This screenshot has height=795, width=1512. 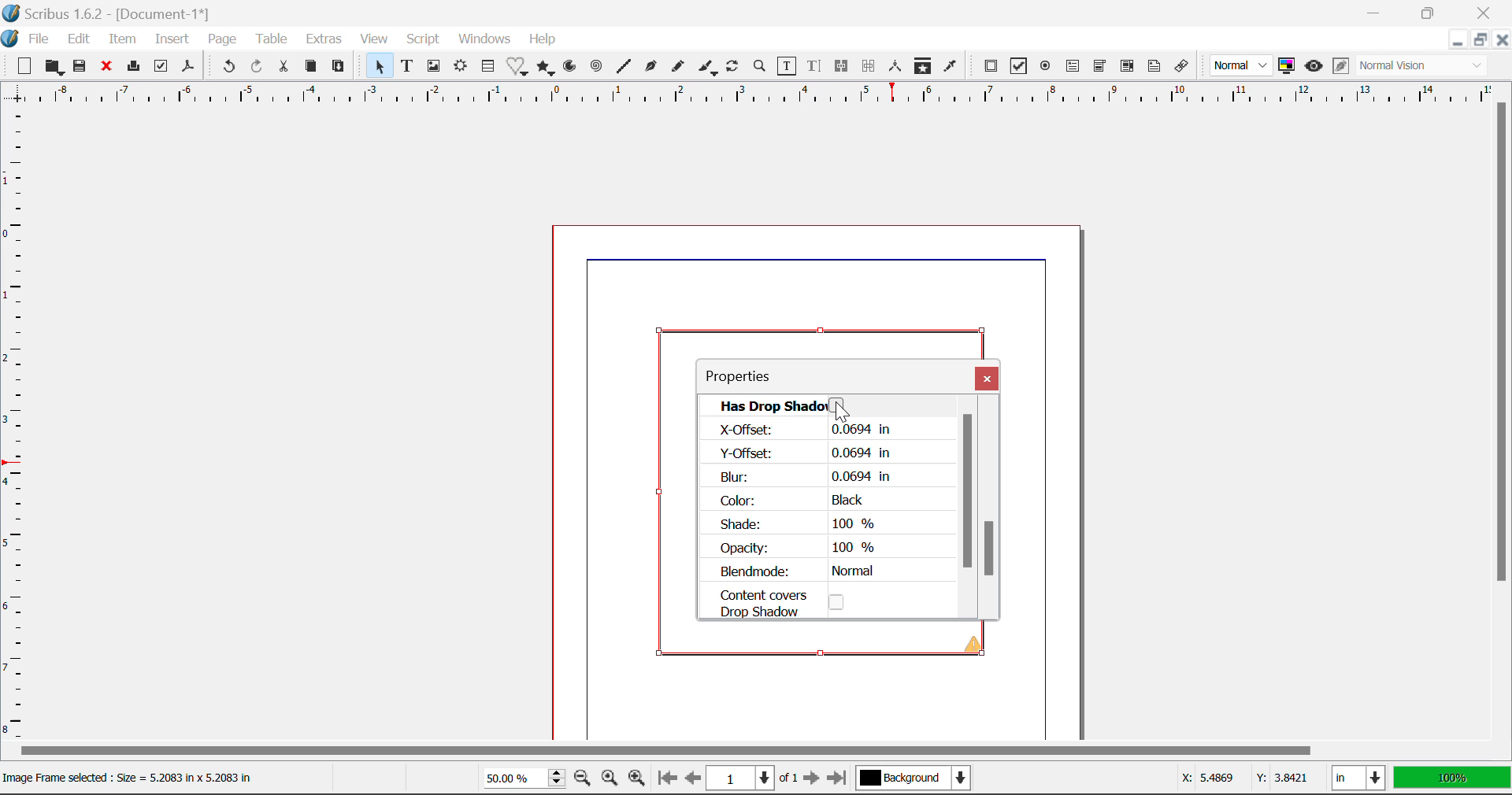 I want to click on Unlink Text Frames, so click(x=870, y=65).